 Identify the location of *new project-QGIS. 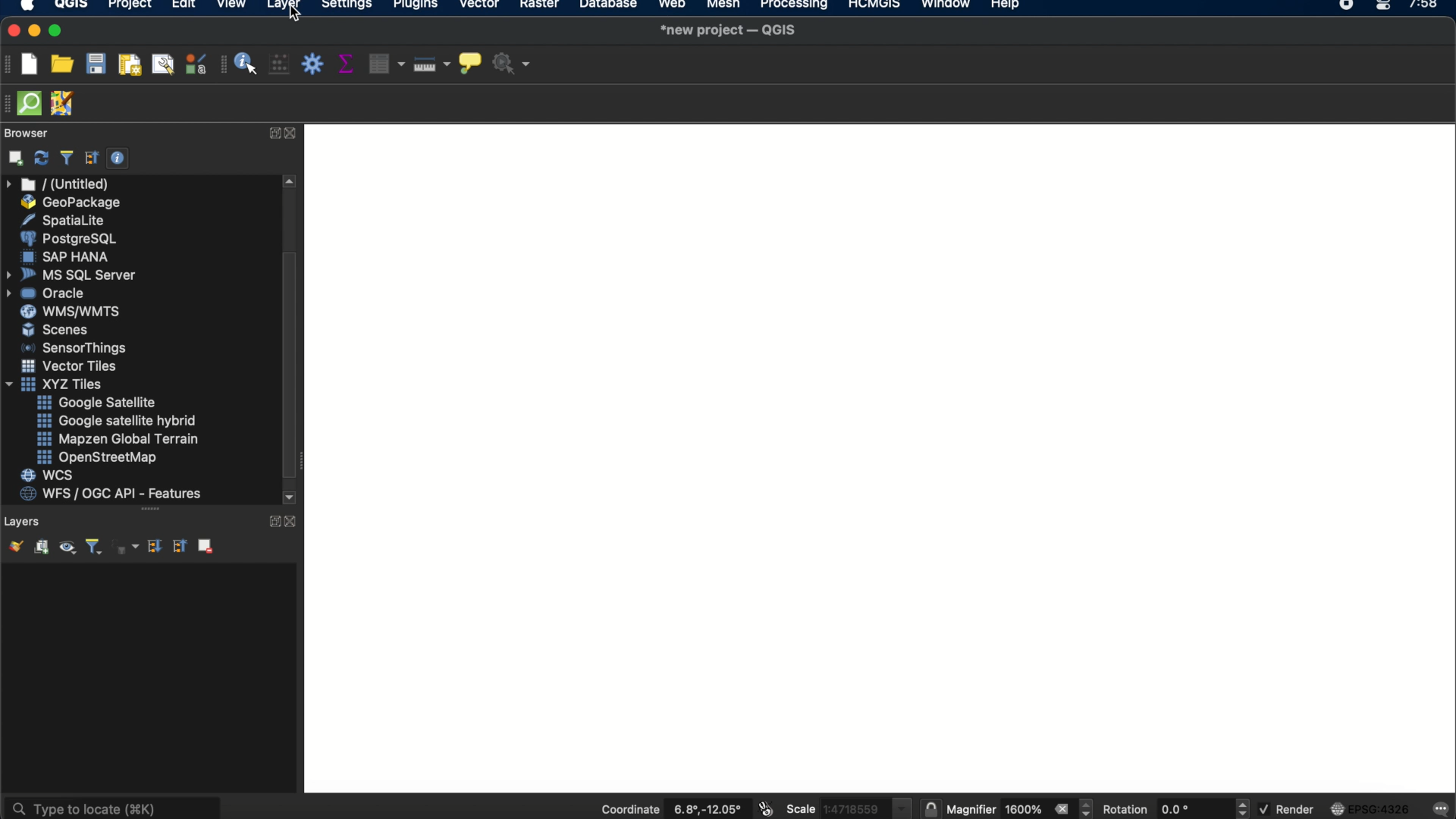
(730, 28).